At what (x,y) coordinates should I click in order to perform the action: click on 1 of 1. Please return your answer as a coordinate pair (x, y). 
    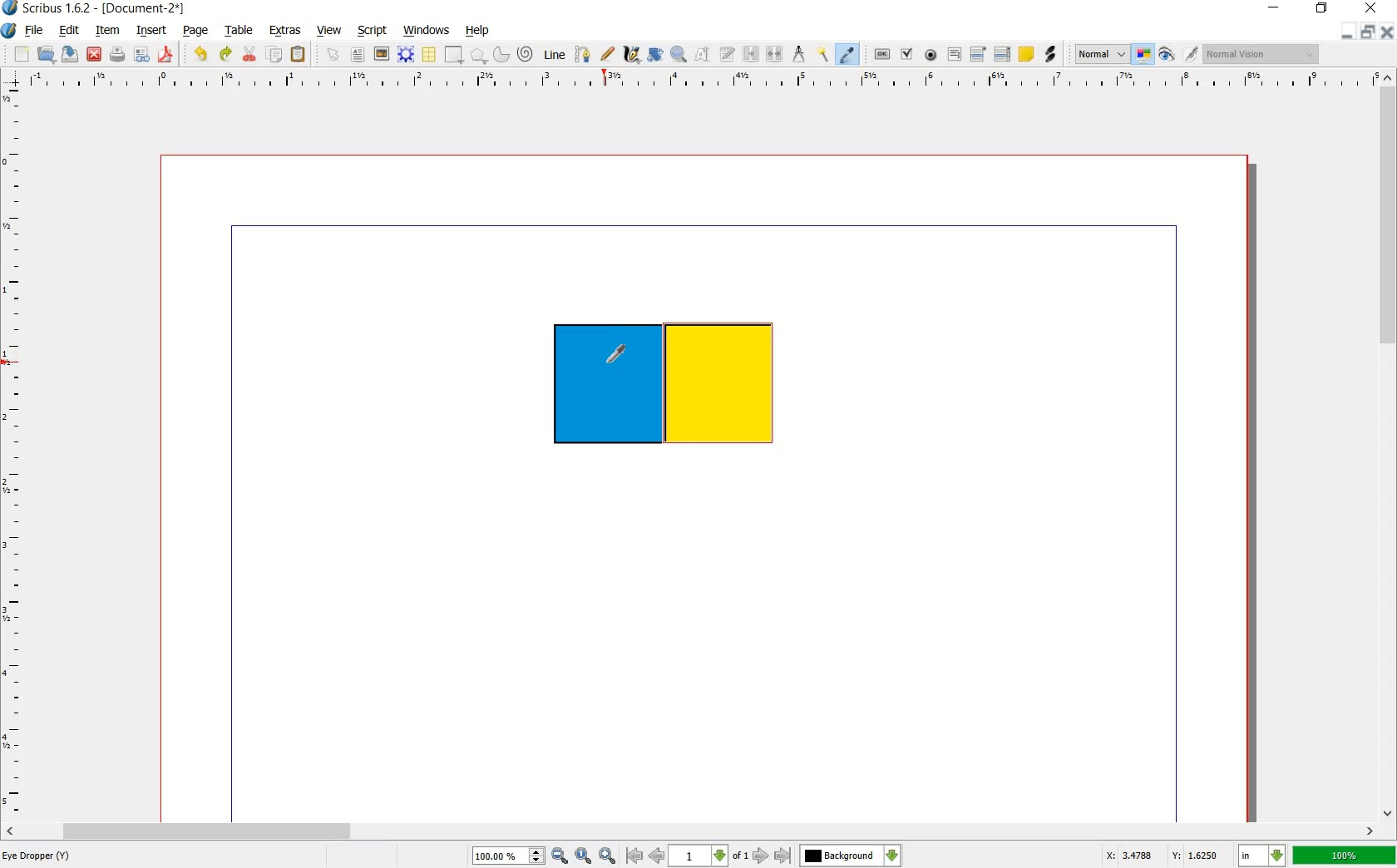
    Looking at the image, I should click on (710, 856).